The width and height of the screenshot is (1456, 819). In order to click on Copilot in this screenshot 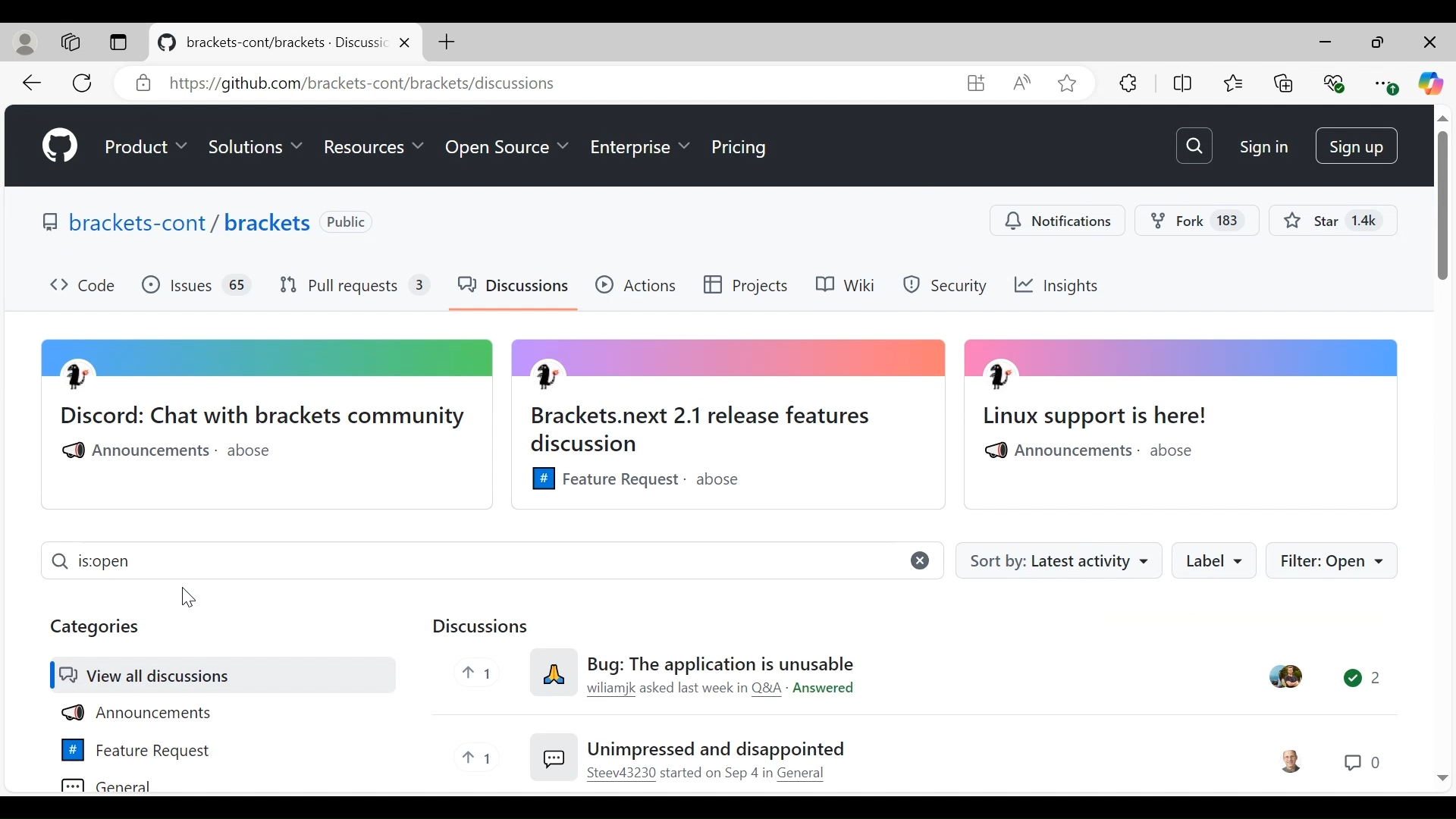, I will do `click(1432, 83)`.